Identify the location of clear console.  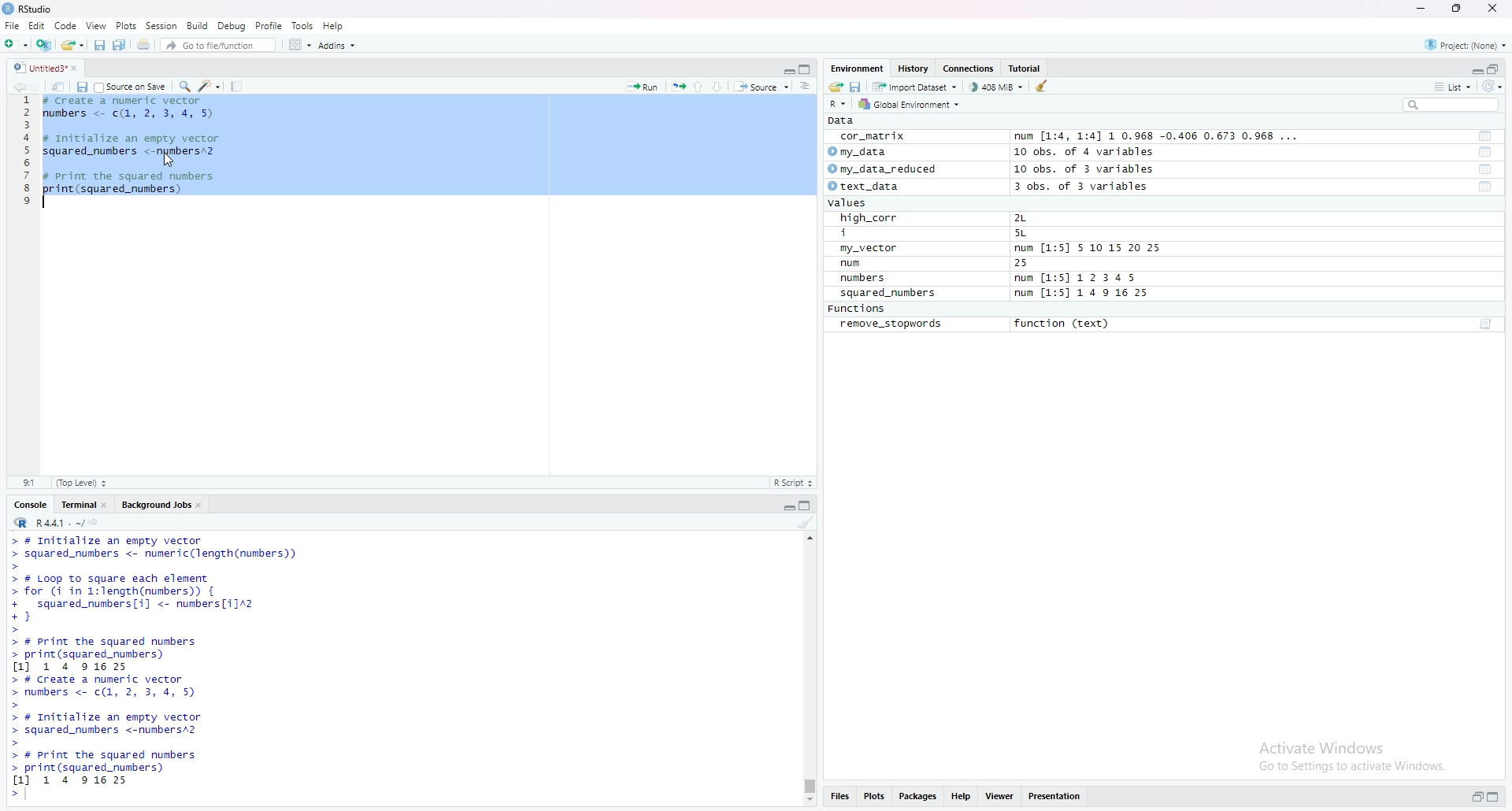
(806, 522).